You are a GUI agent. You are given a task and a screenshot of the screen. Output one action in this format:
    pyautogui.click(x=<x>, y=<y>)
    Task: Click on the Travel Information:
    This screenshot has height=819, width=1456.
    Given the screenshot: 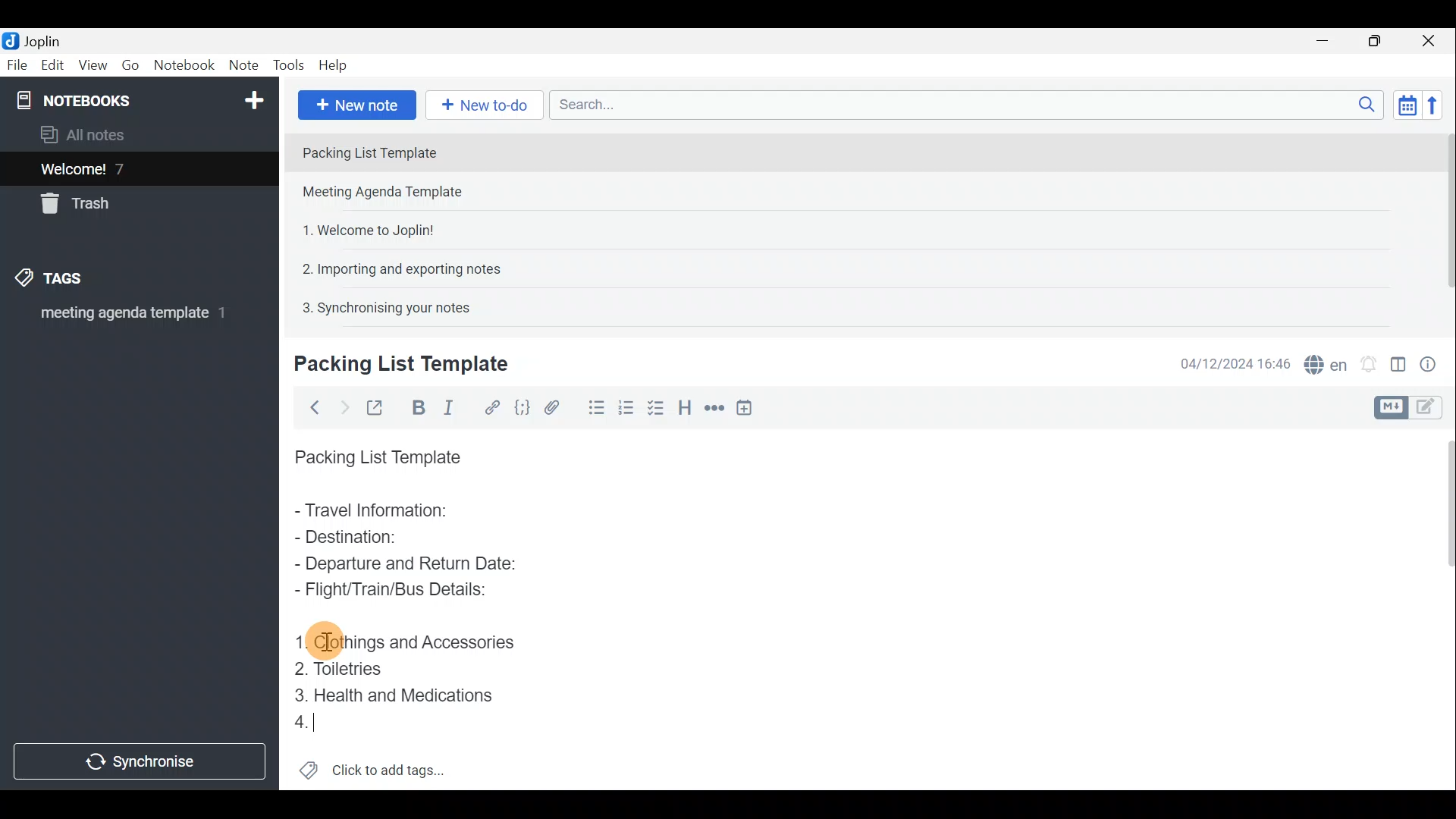 What is the action you would take?
    pyautogui.click(x=384, y=512)
    